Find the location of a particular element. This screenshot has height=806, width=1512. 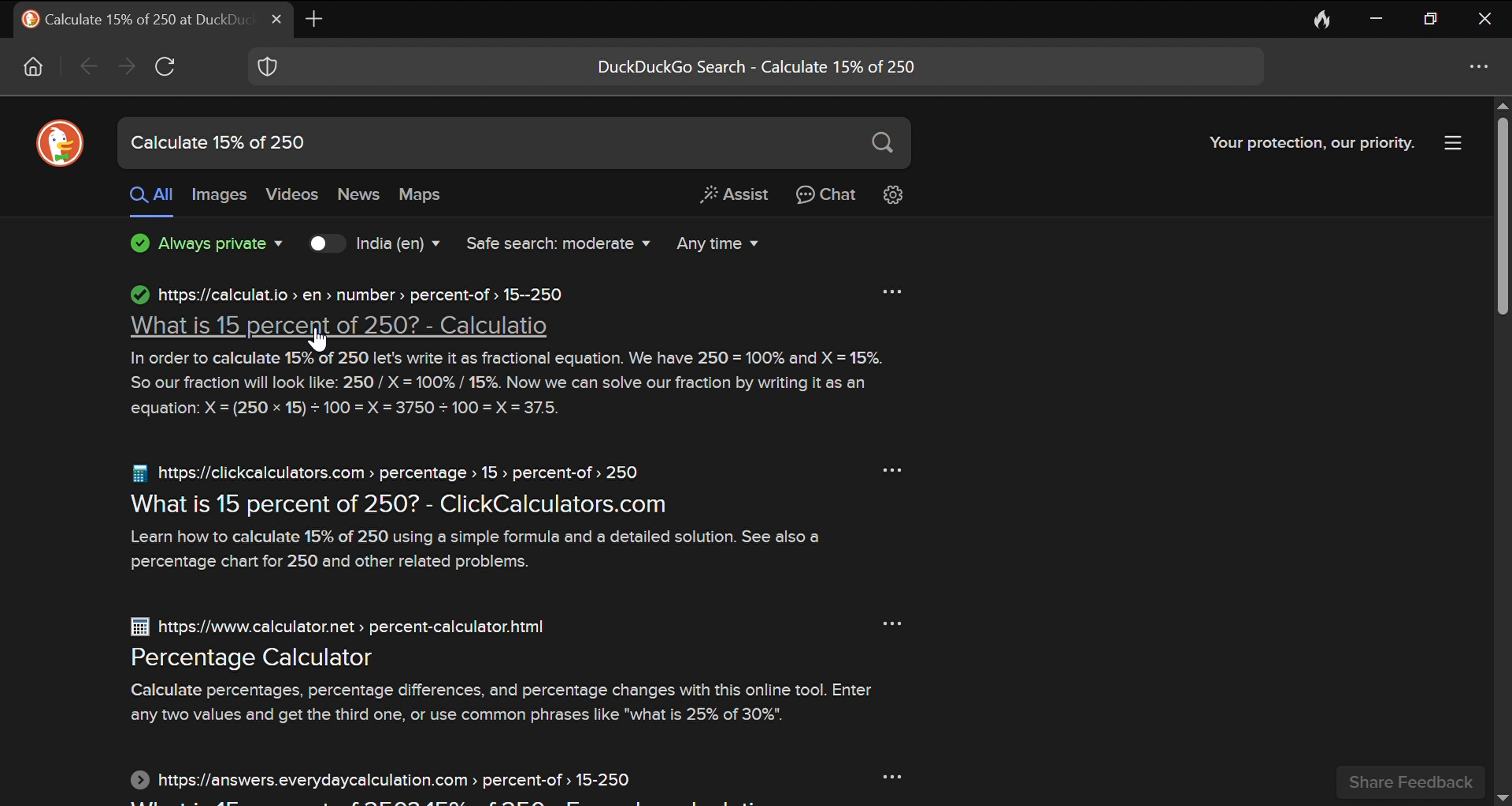

close is located at coordinates (1486, 20).